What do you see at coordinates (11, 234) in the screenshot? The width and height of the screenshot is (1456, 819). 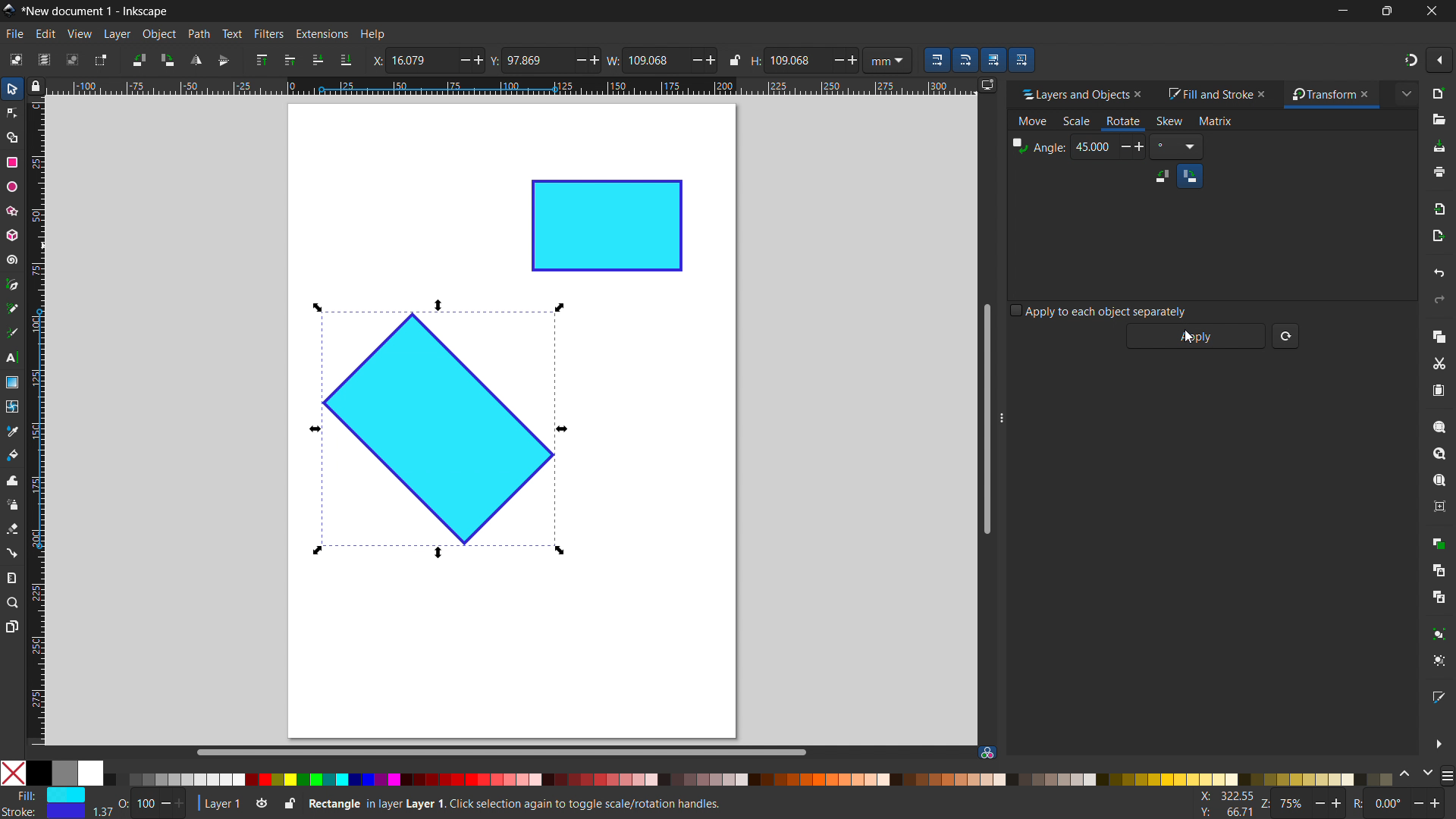 I see `3D box tool` at bounding box center [11, 234].